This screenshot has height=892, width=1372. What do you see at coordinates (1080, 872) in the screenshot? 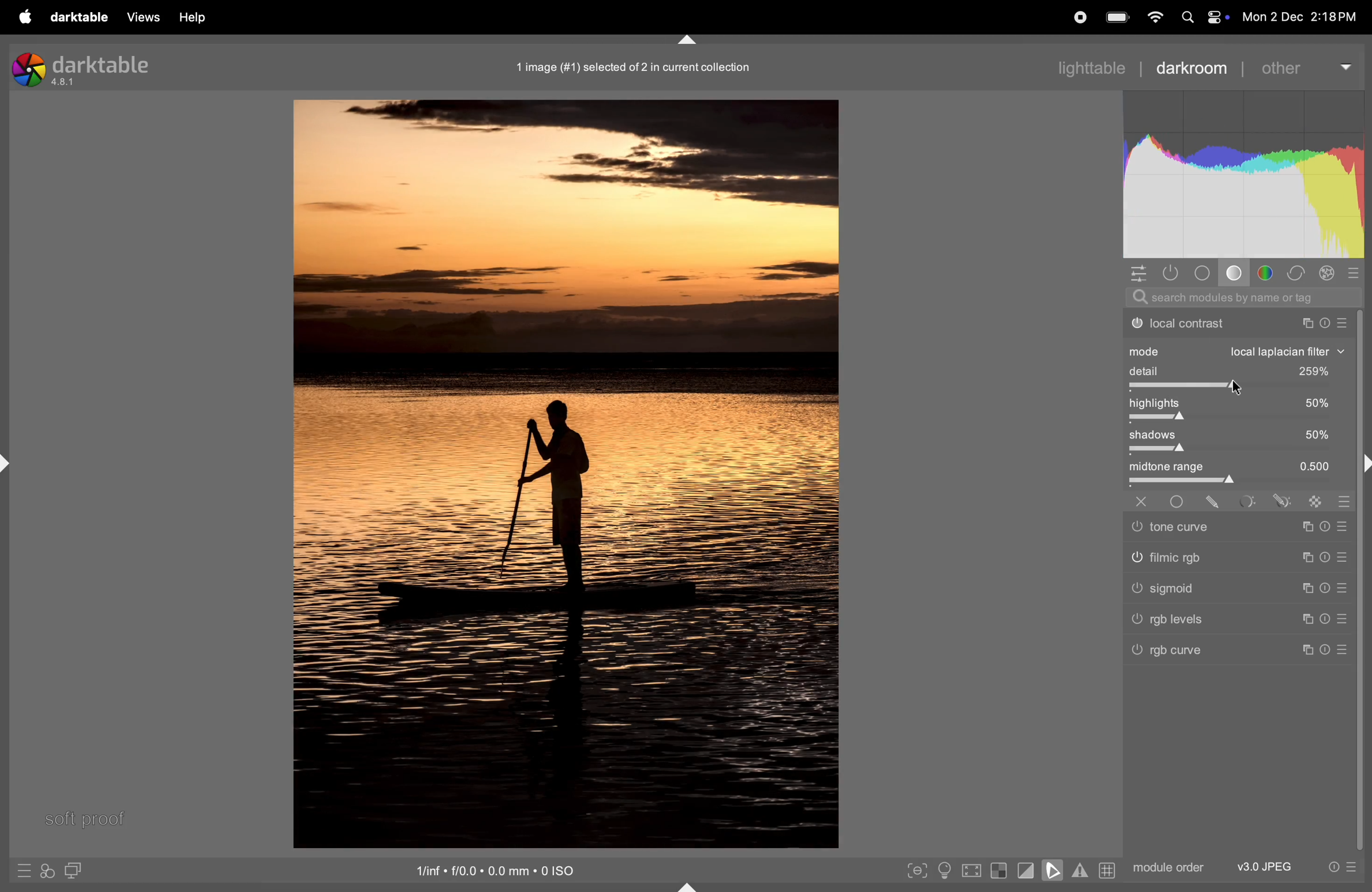
I see `toggle gamut checking` at bounding box center [1080, 872].